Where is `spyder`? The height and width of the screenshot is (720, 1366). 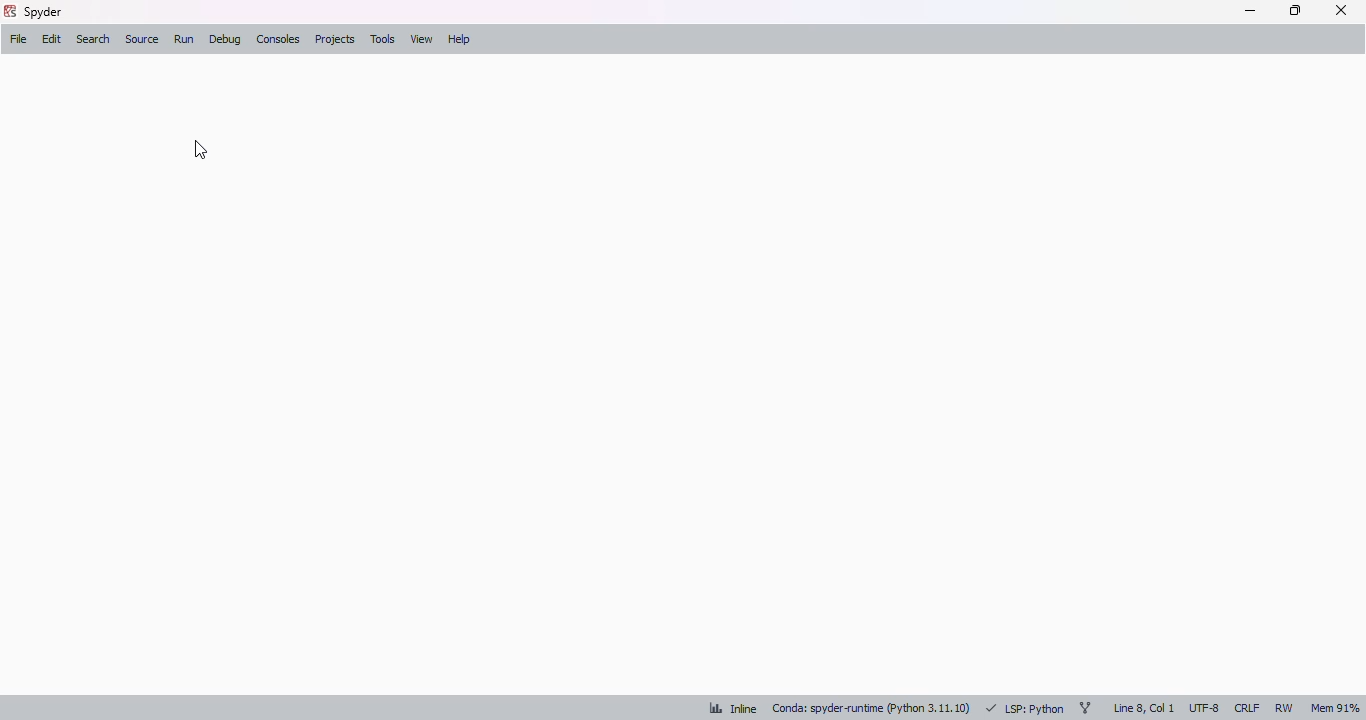 spyder is located at coordinates (44, 12).